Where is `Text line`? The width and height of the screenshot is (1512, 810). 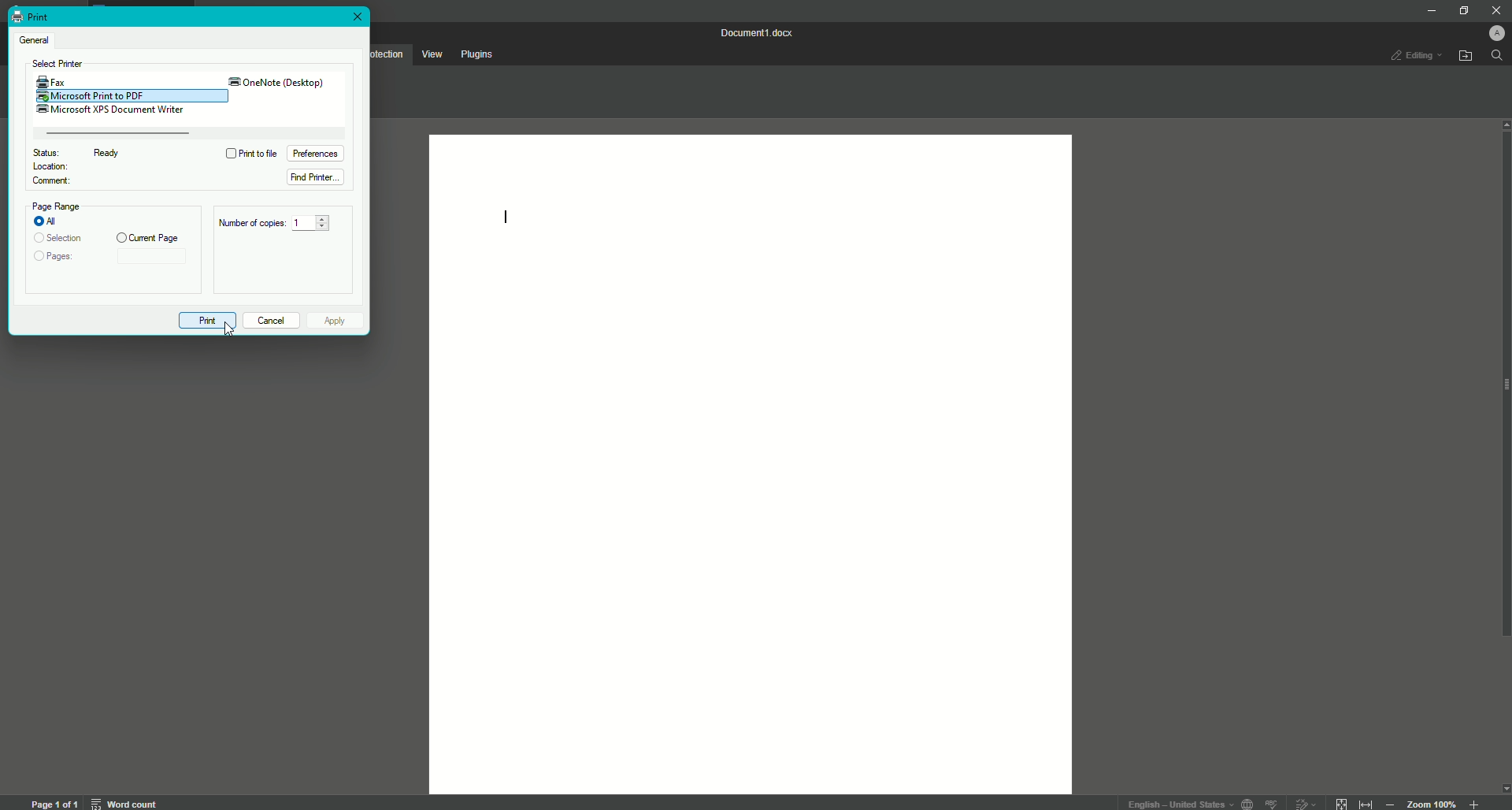
Text line is located at coordinates (513, 217).